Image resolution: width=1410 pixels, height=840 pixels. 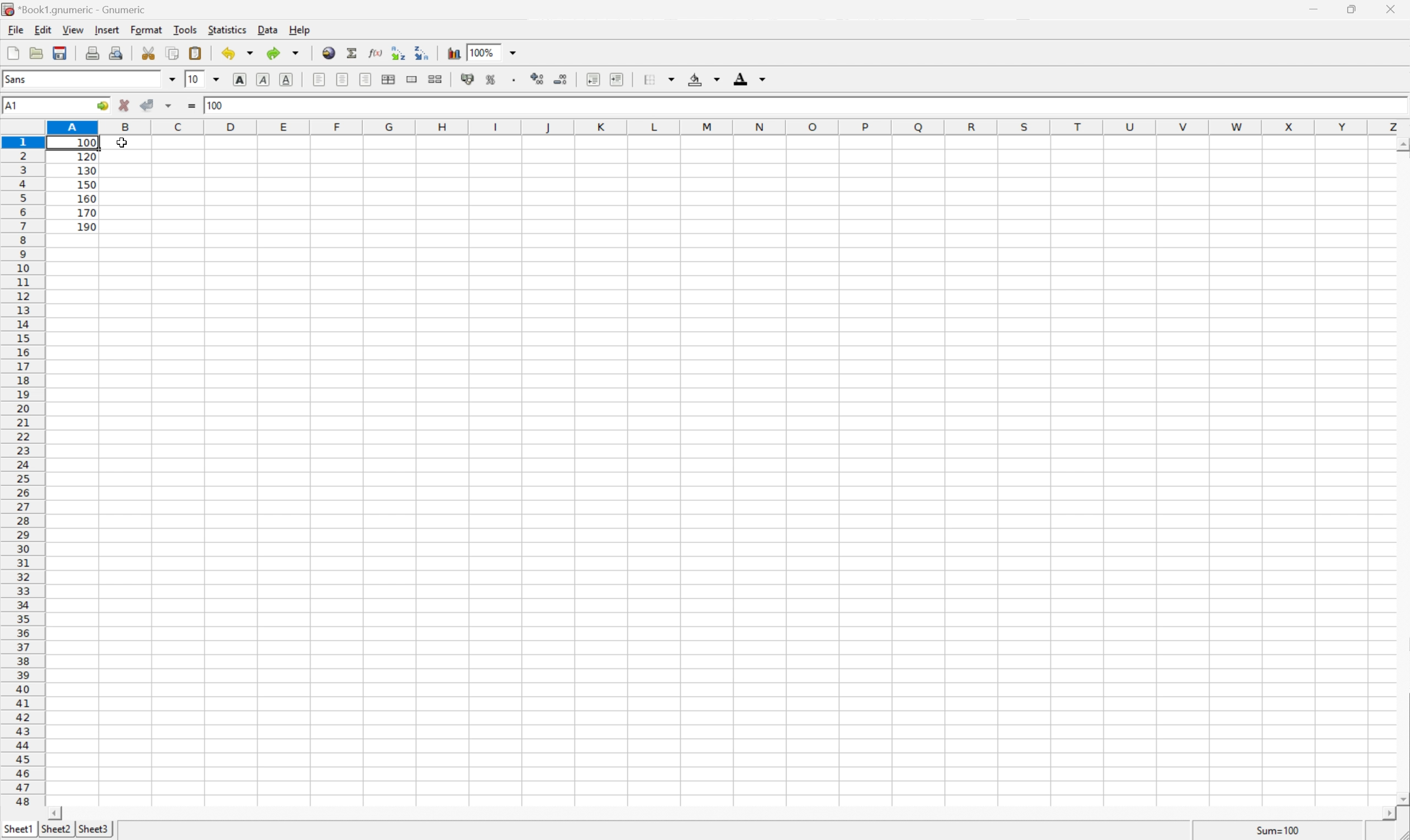 What do you see at coordinates (1401, 144) in the screenshot?
I see `Scroll Up` at bounding box center [1401, 144].